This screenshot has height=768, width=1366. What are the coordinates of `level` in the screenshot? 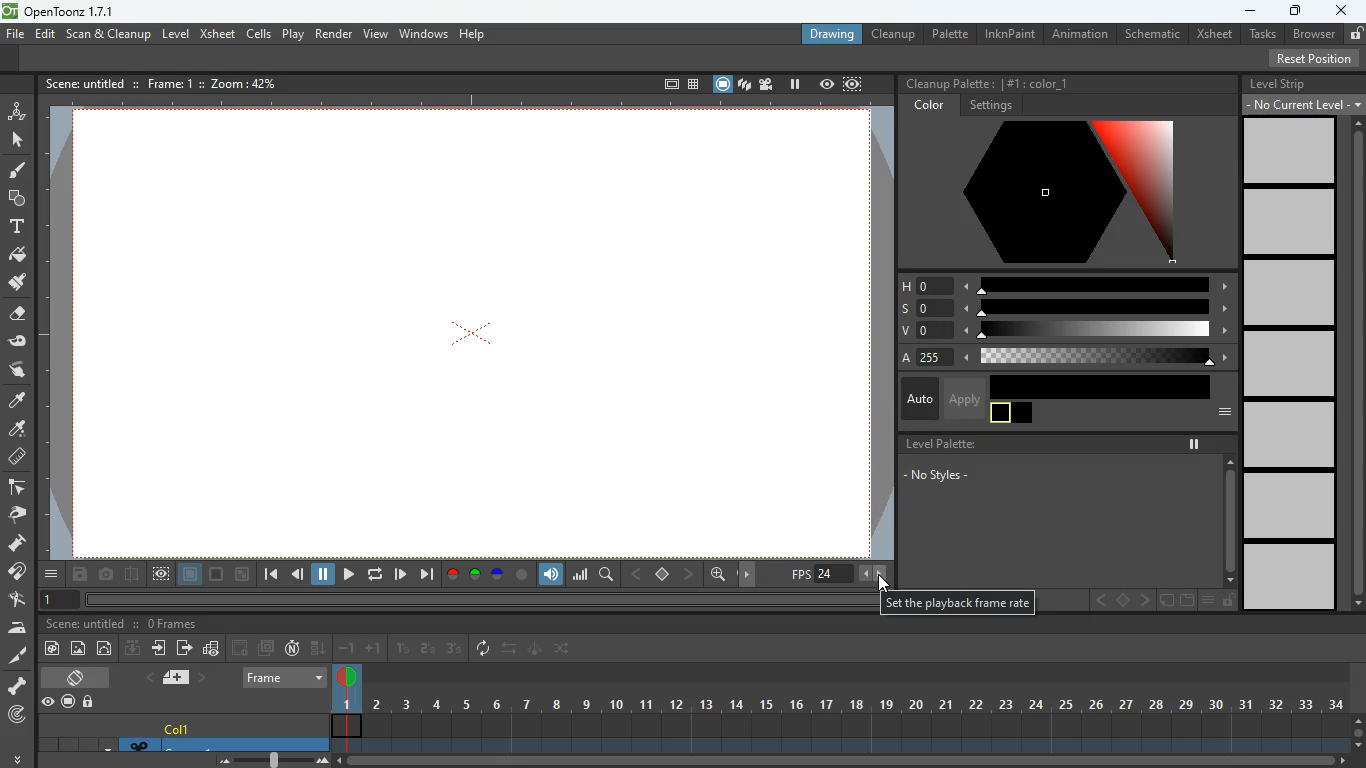 It's located at (1293, 363).